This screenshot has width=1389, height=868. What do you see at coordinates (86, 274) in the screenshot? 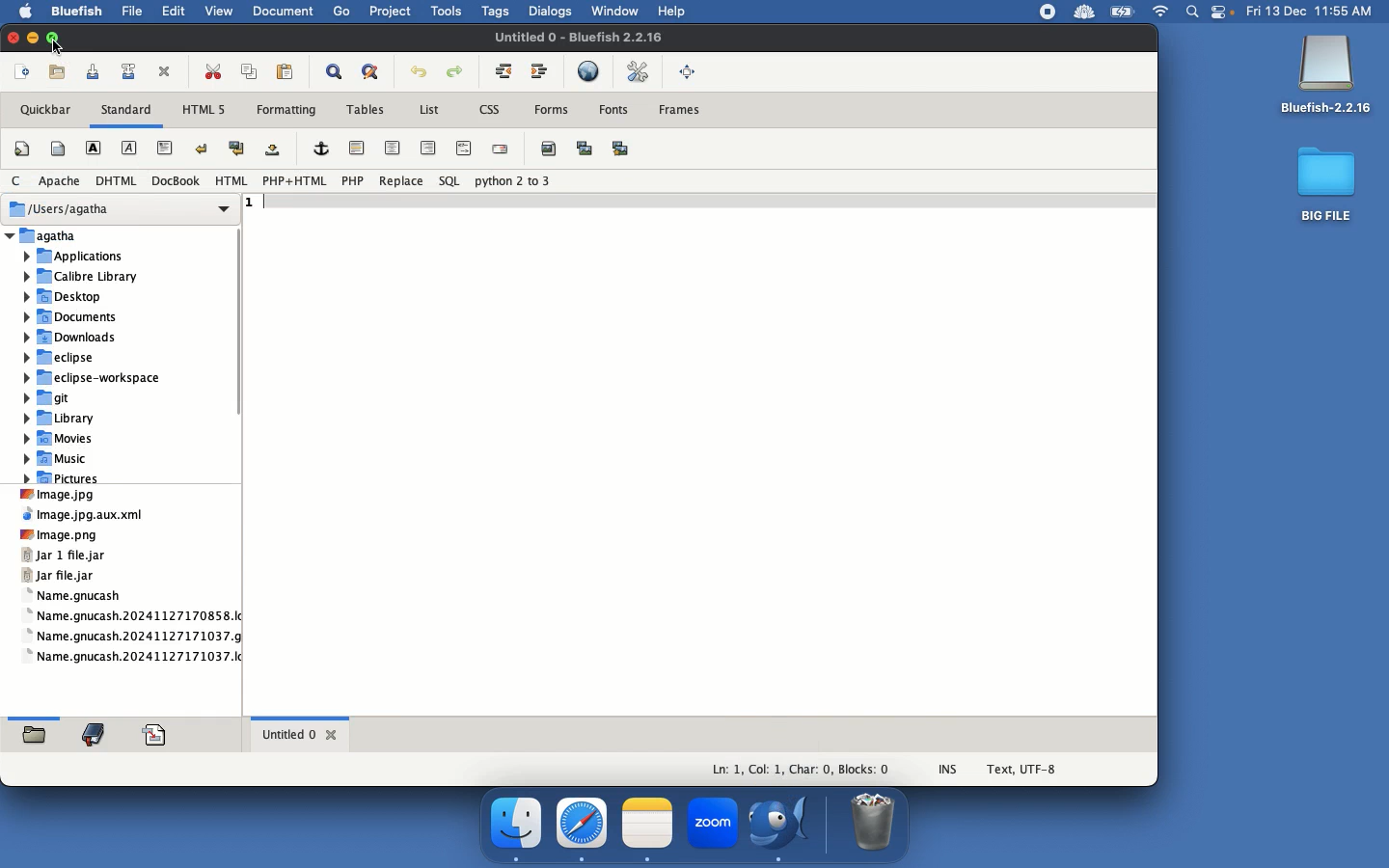
I see `library` at bounding box center [86, 274].